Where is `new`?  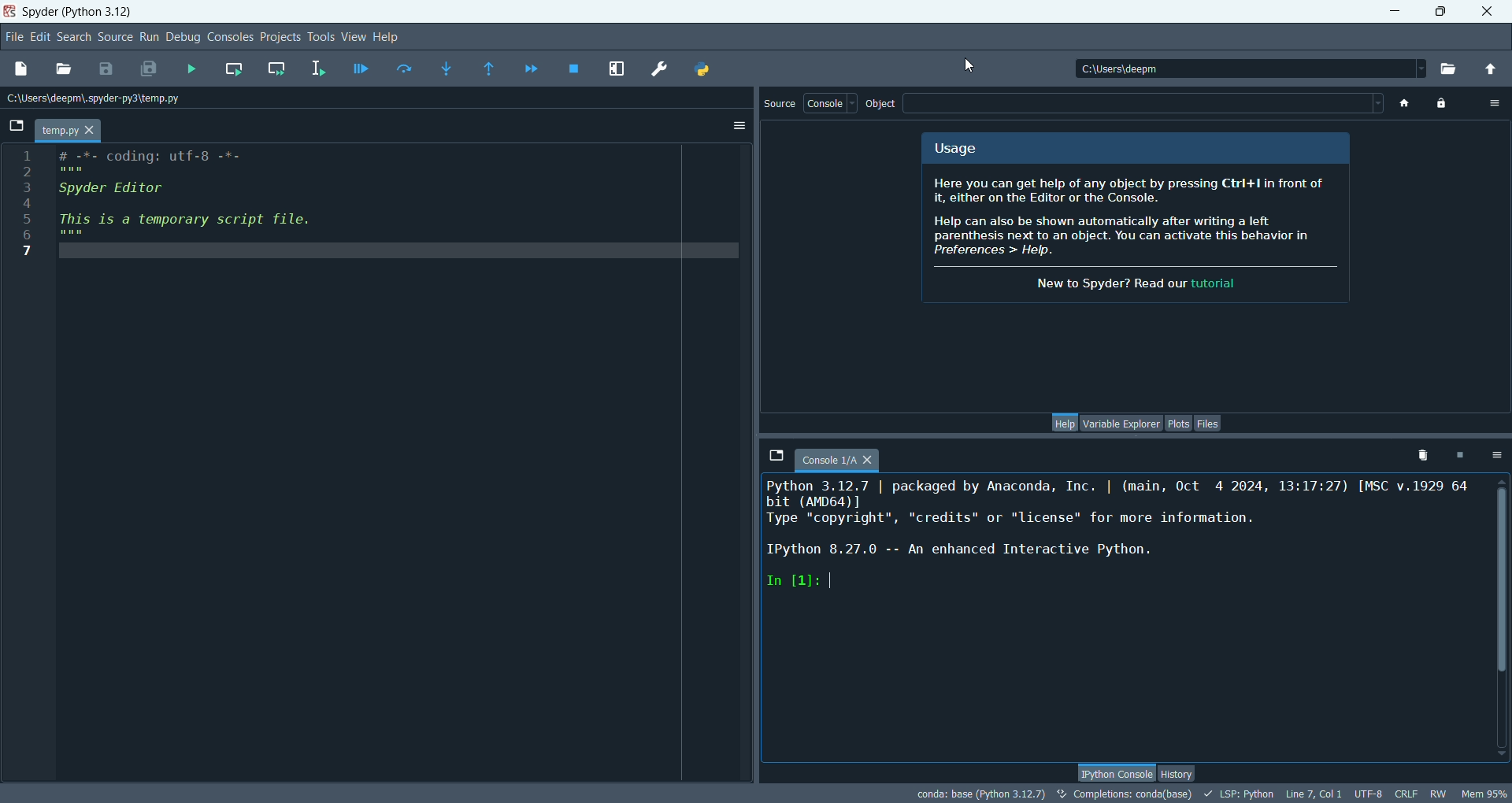
new is located at coordinates (22, 68).